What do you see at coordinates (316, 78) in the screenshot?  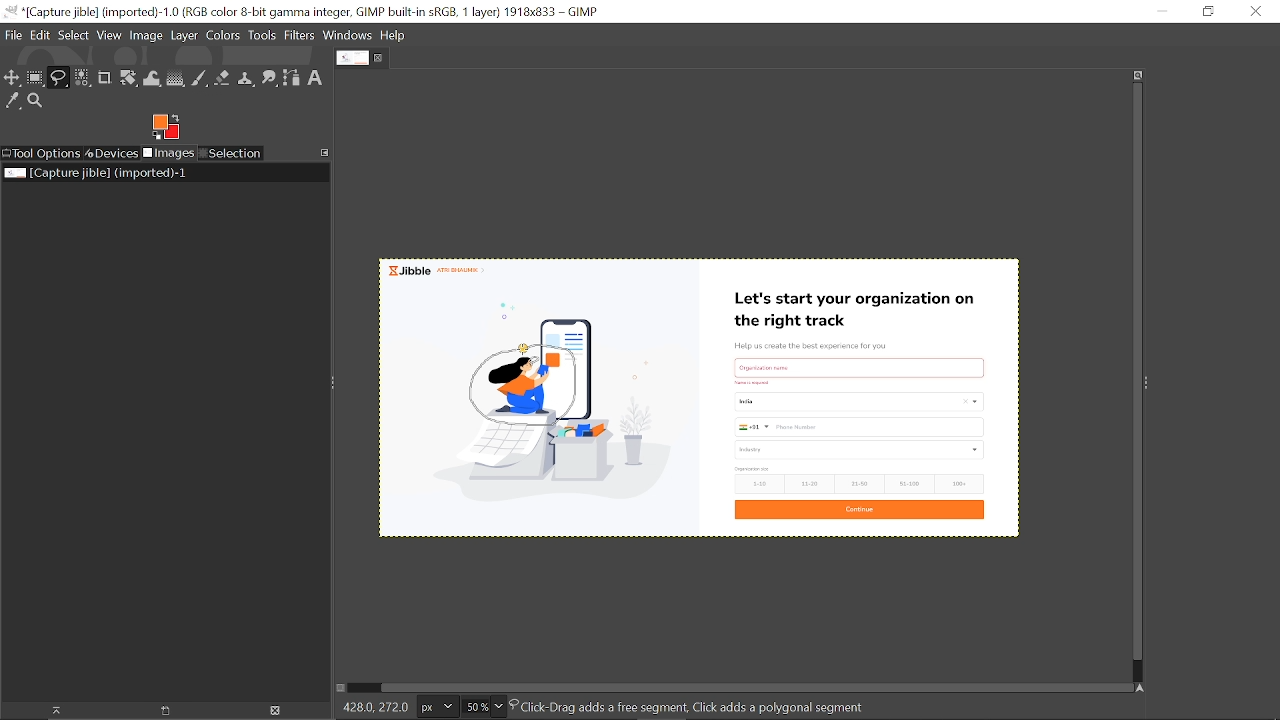 I see `Text tool` at bounding box center [316, 78].